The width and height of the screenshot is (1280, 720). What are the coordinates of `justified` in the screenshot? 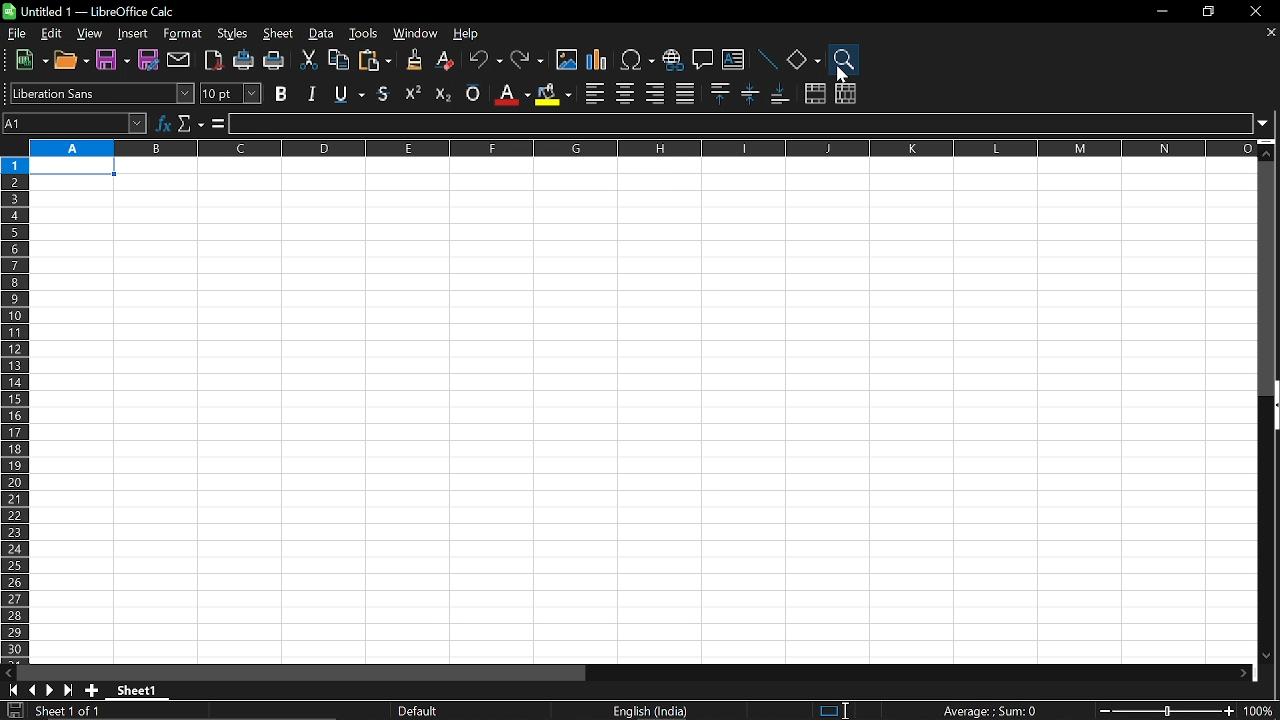 It's located at (686, 94).